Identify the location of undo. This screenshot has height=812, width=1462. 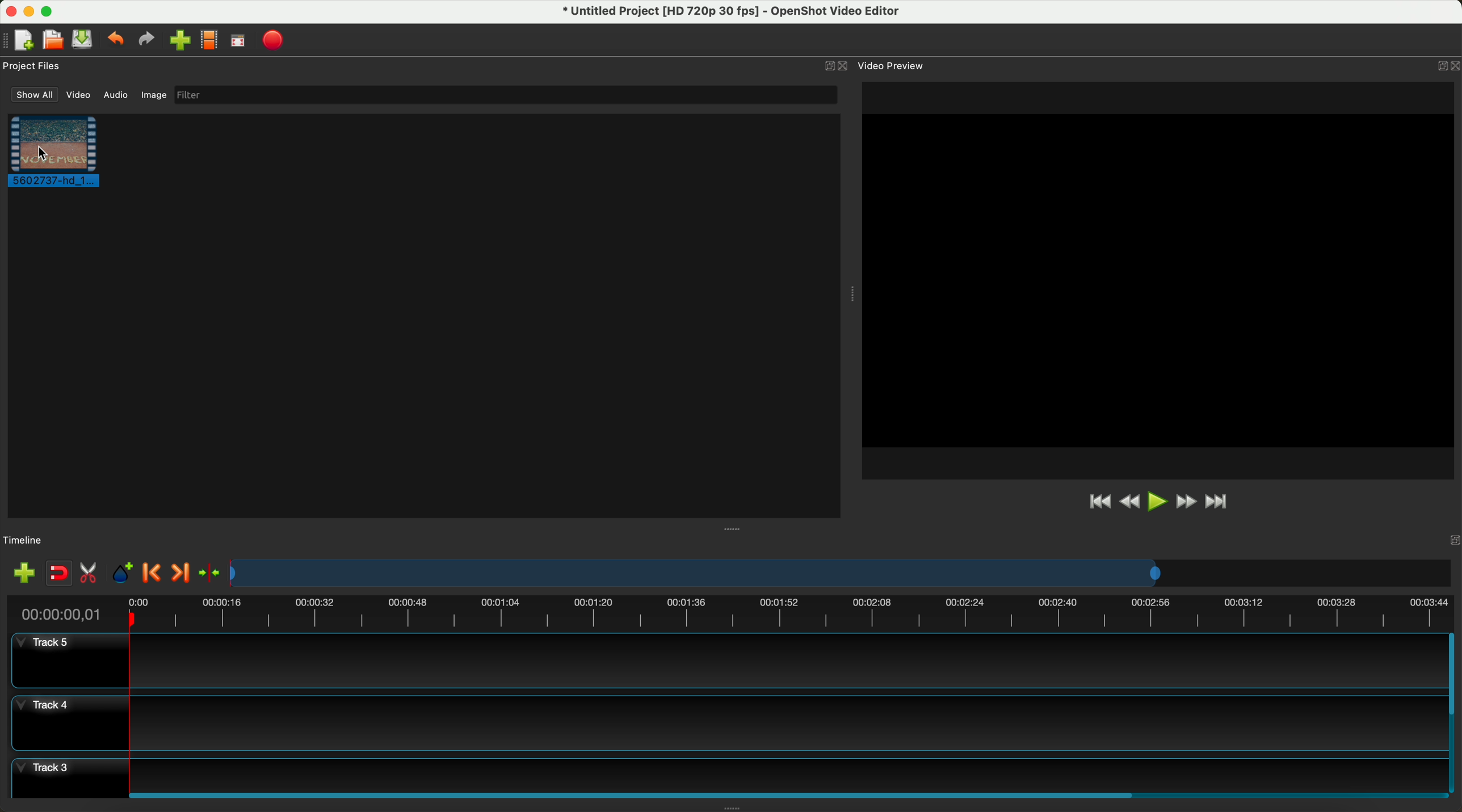
(116, 40).